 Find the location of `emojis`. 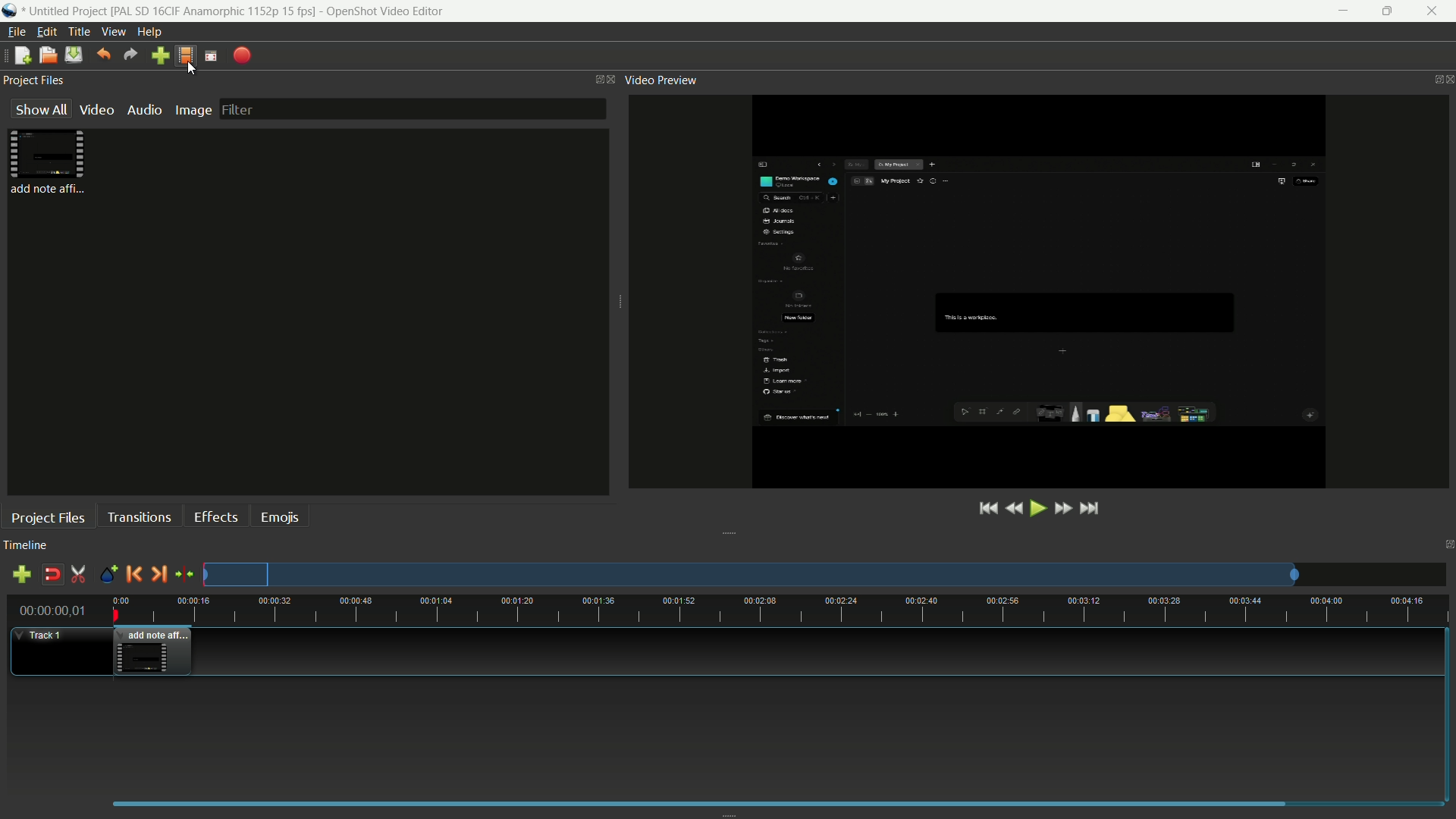

emojis is located at coordinates (280, 516).